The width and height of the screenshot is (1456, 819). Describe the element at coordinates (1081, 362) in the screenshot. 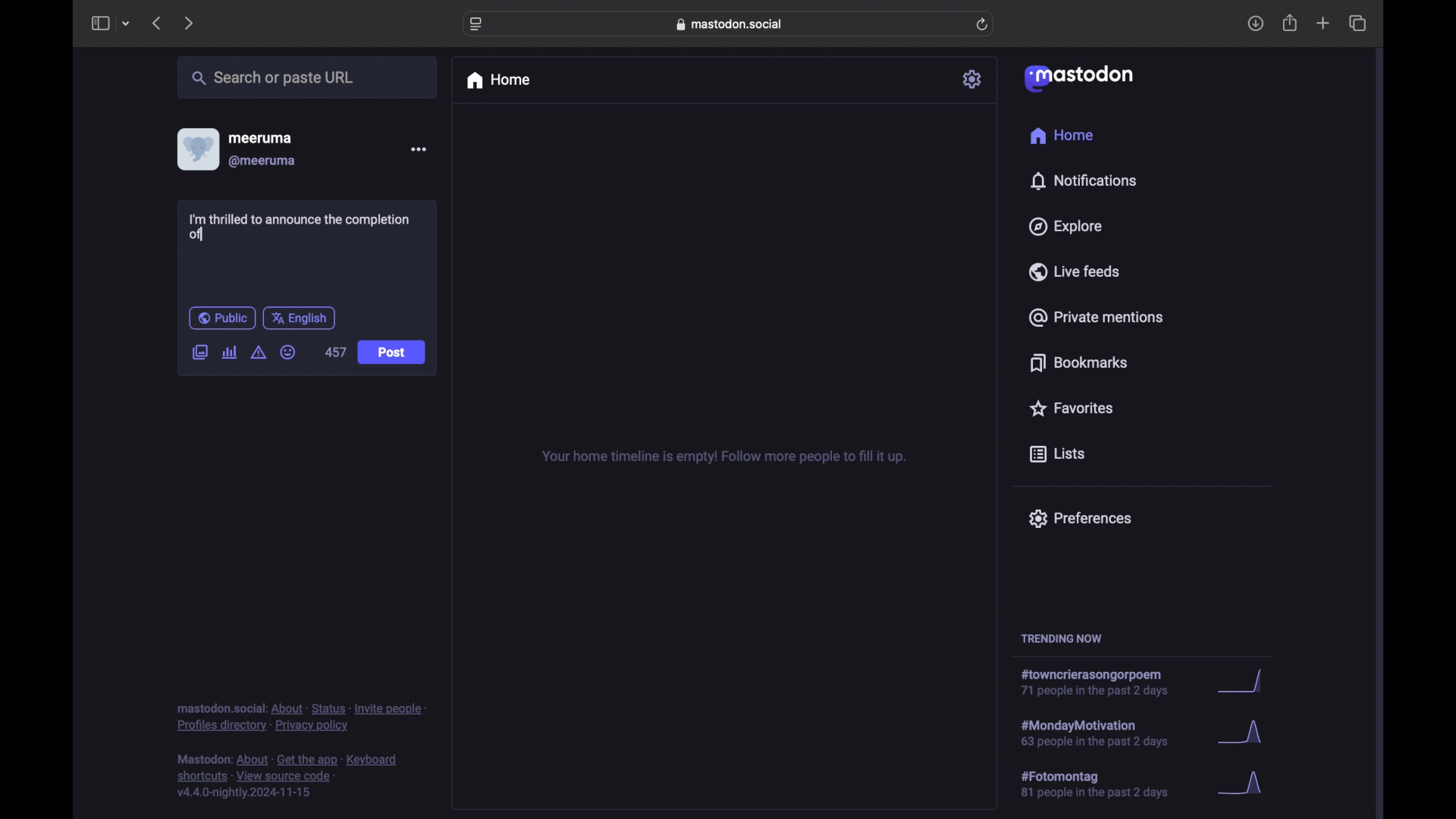

I see `bookmarks` at that location.